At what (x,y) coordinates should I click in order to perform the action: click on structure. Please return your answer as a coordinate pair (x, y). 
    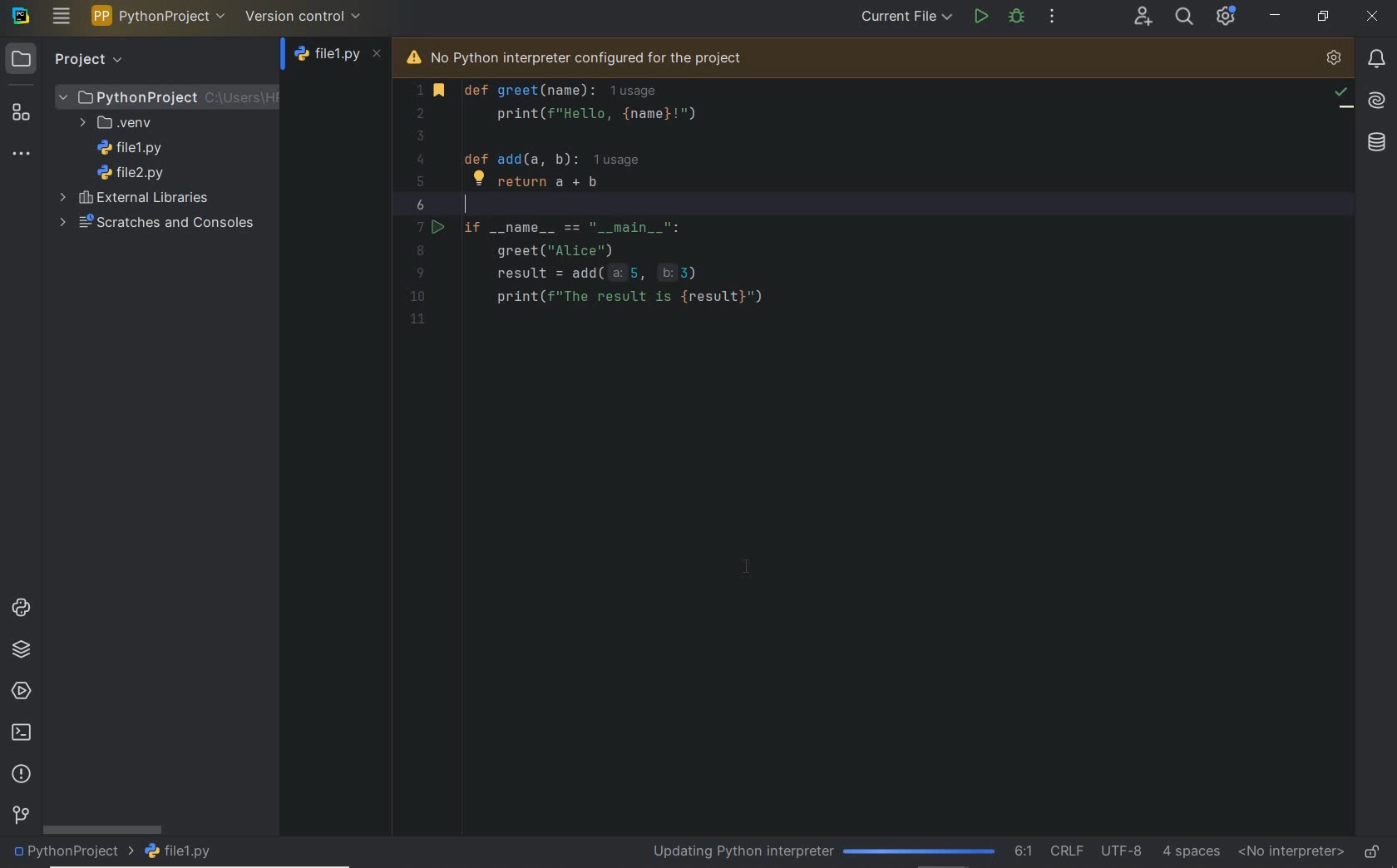
    Looking at the image, I should click on (22, 112).